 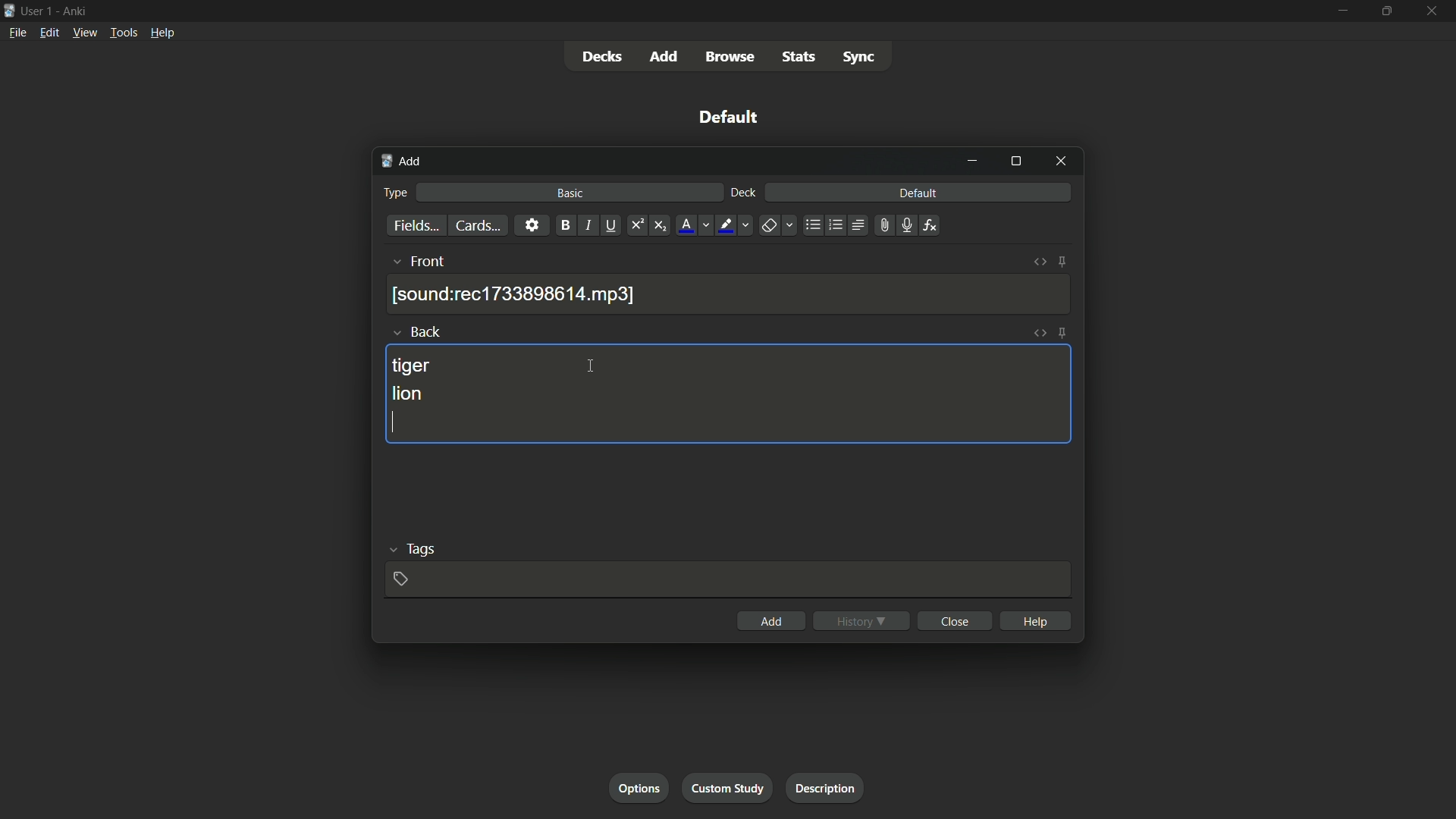 What do you see at coordinates (1035, 620) in the screenshot?
I see `help` at bounding box center [1035, 620].